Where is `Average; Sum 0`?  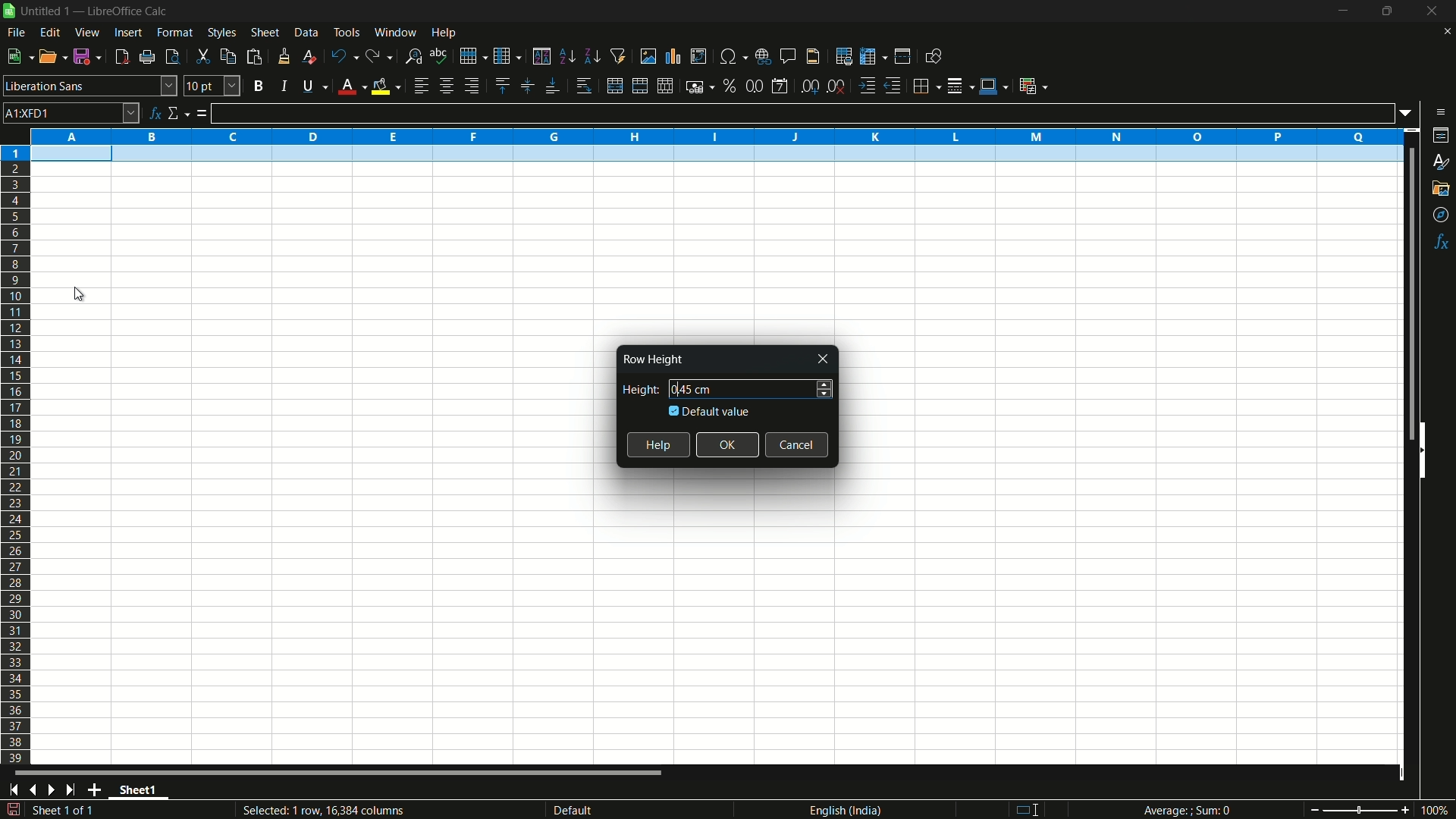
Average; Sum 0 is located at coordinates (1188, 811).